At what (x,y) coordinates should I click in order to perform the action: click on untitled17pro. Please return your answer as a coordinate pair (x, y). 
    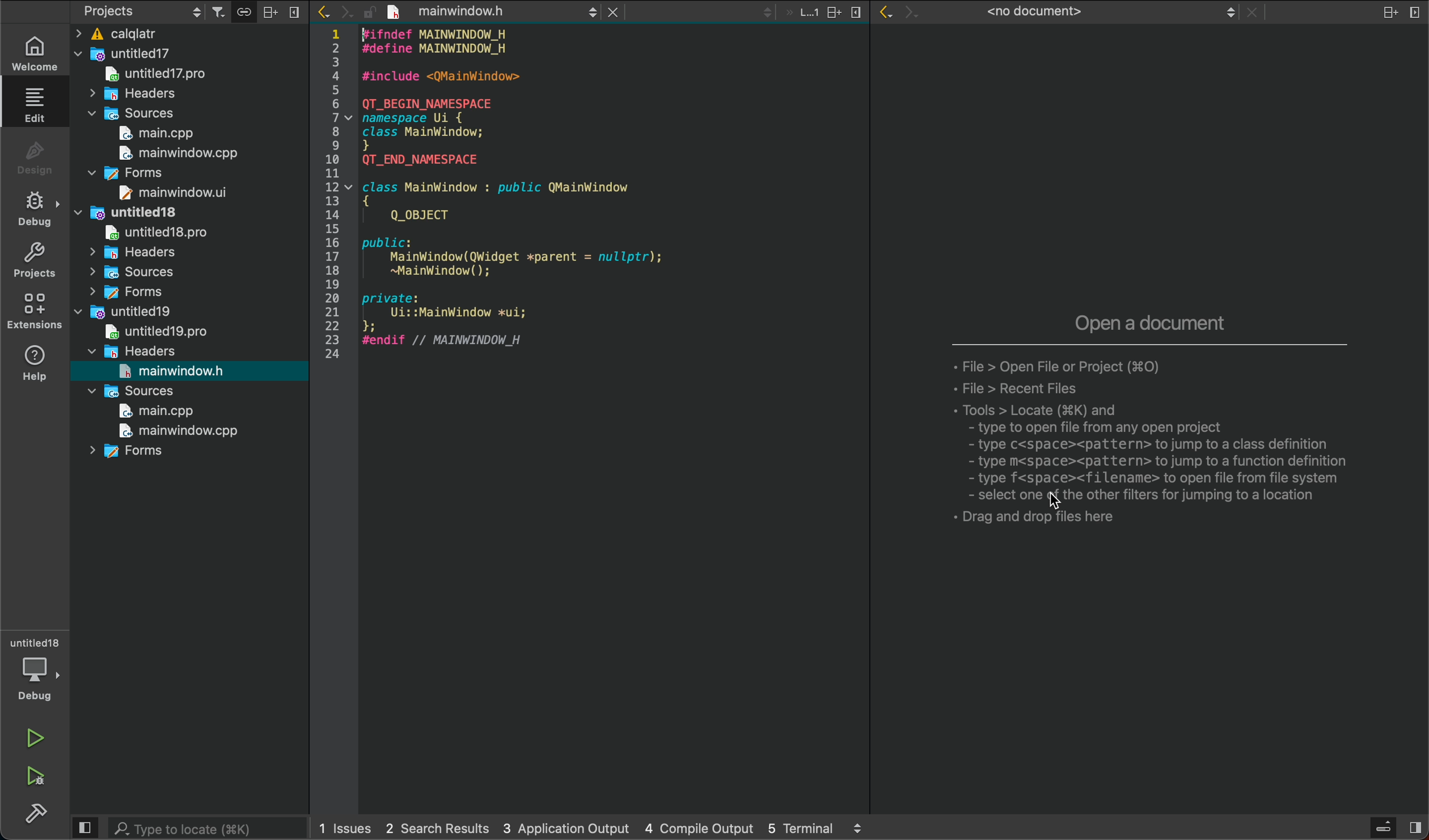
    Looking at the image, I should click on (189, 75).